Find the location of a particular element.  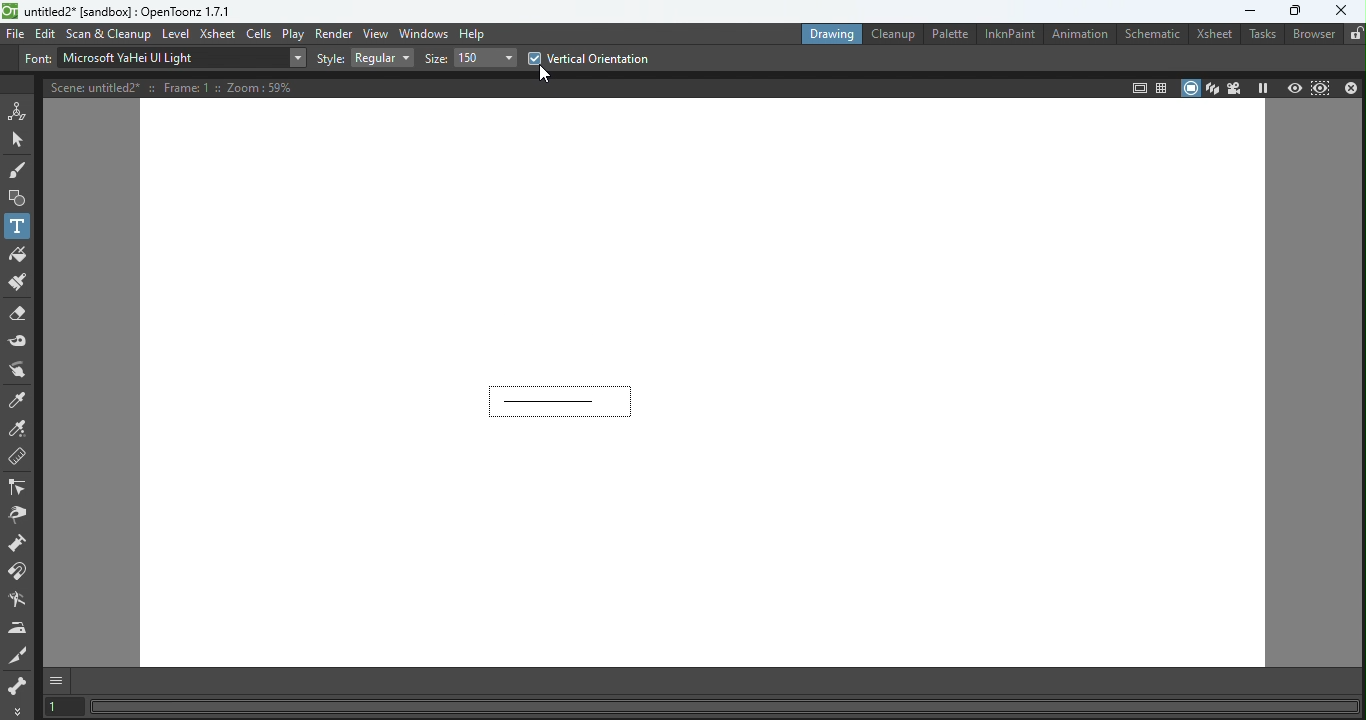

Drop down is located at coordinates (385, 58).